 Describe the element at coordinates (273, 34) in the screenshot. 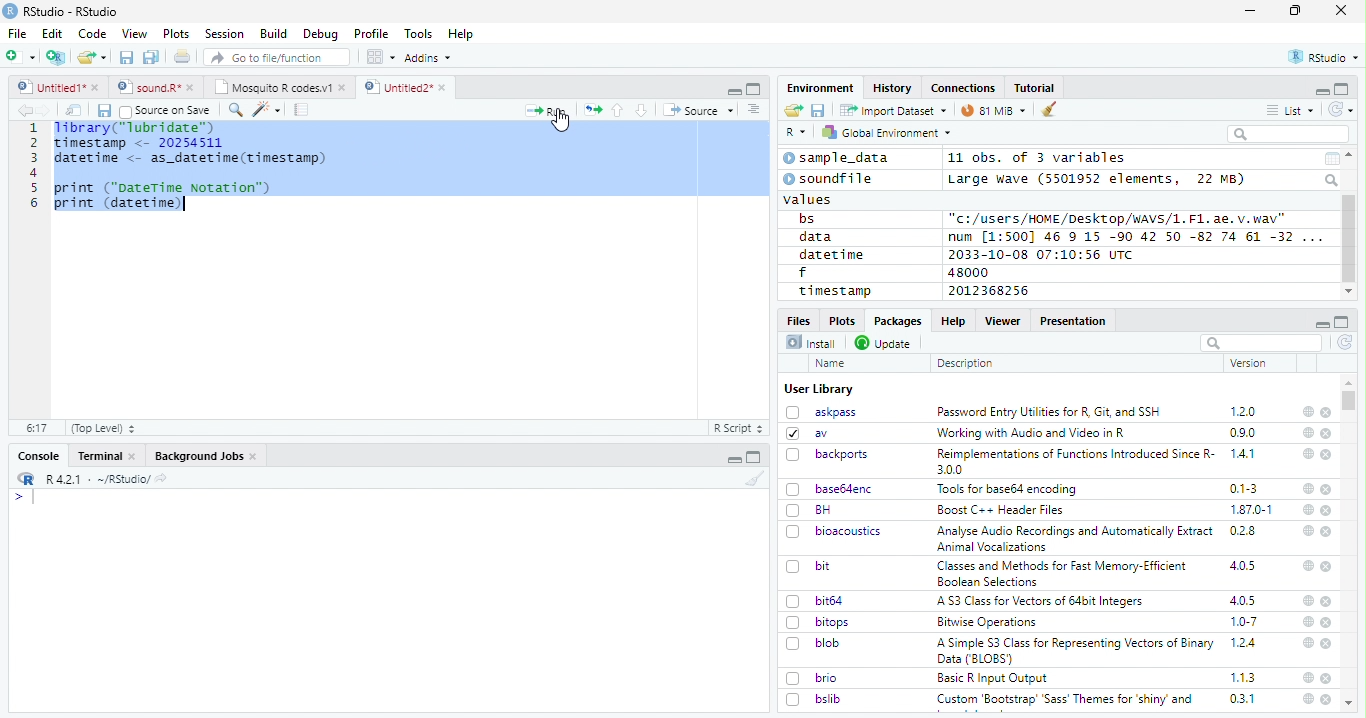

I see `Build` at that location.